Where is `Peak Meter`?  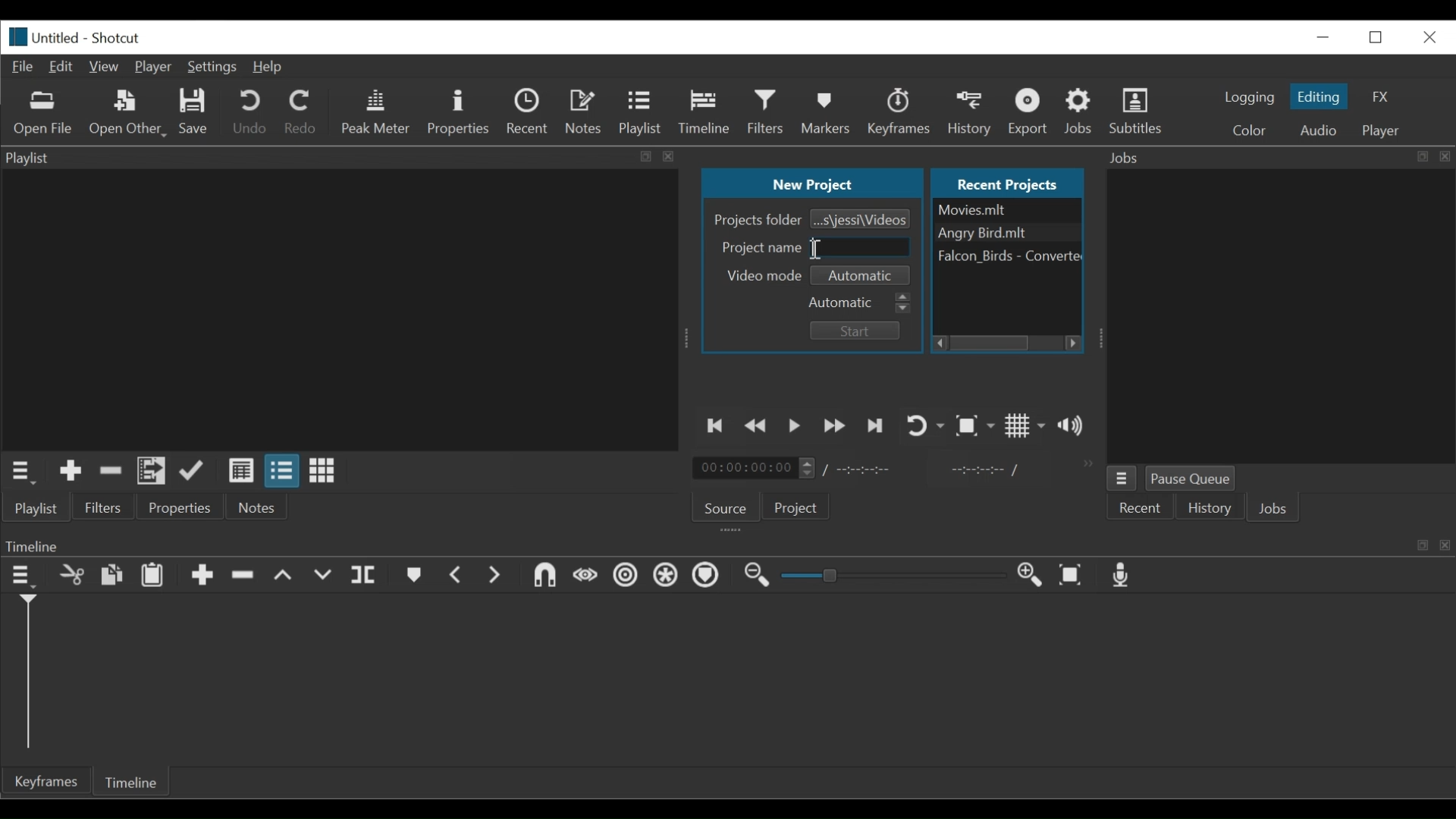
Peak Meter is located at coordinates (375, 111).